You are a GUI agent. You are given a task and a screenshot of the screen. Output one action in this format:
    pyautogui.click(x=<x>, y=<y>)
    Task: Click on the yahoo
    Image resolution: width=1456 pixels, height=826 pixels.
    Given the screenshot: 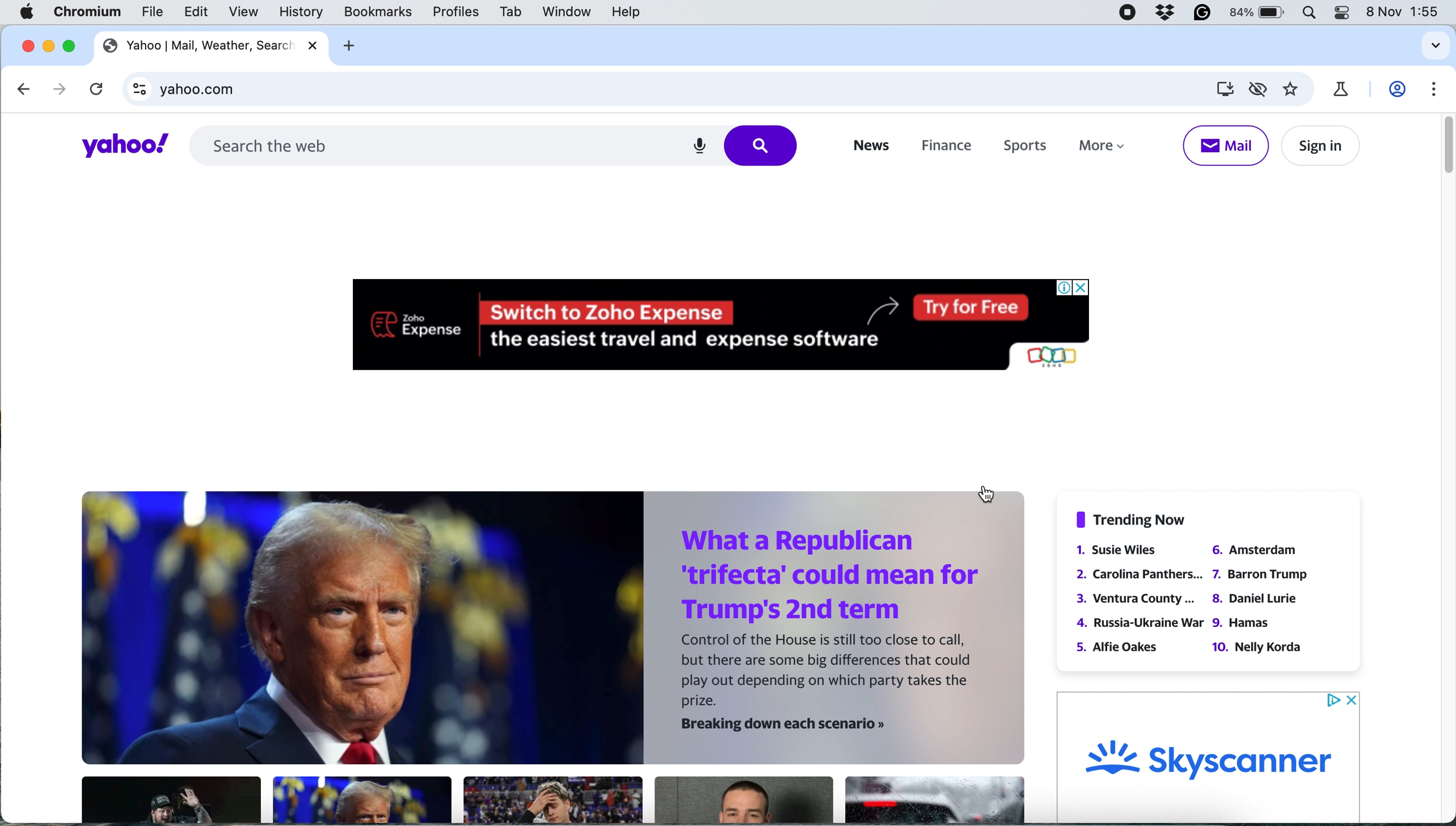 What is the action you would take?
    pyautogui.click(x=123, y=145)
    